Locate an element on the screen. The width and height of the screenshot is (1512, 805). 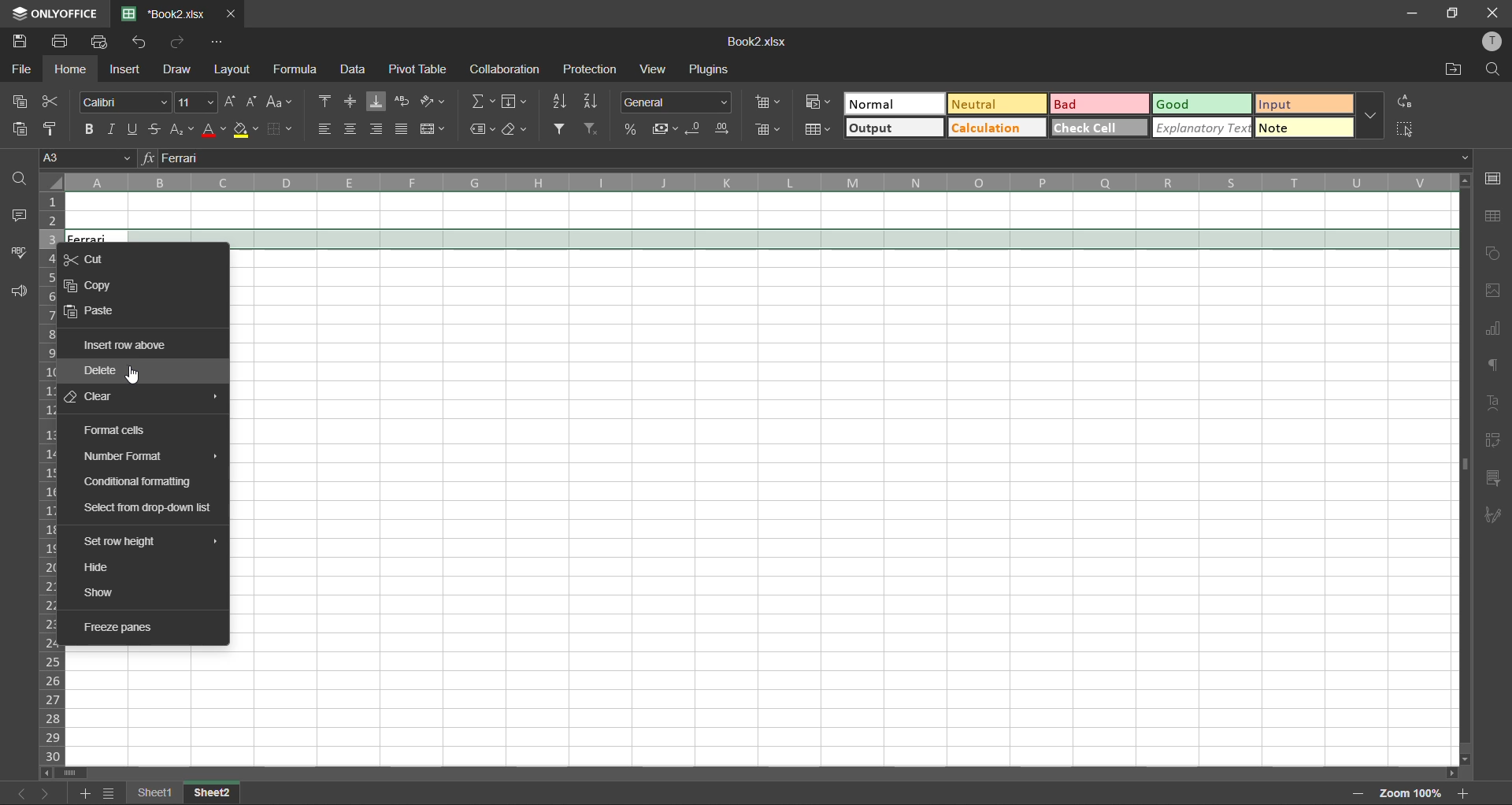
show is located at coordinates (106, 594).